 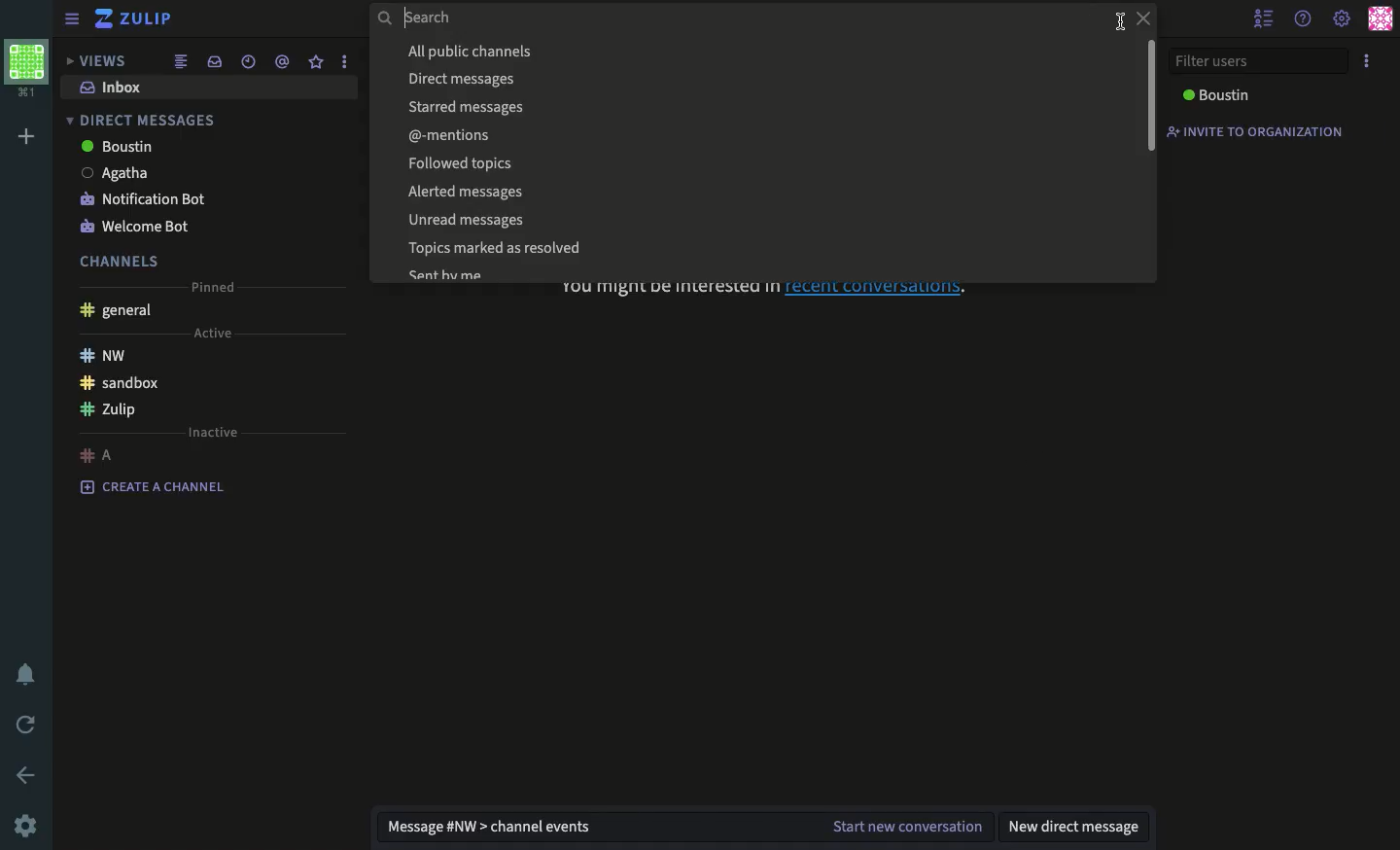 What do you see at coordinates (344, 62) in the screenshot?
I see `options` at bounding box center [344, 62].